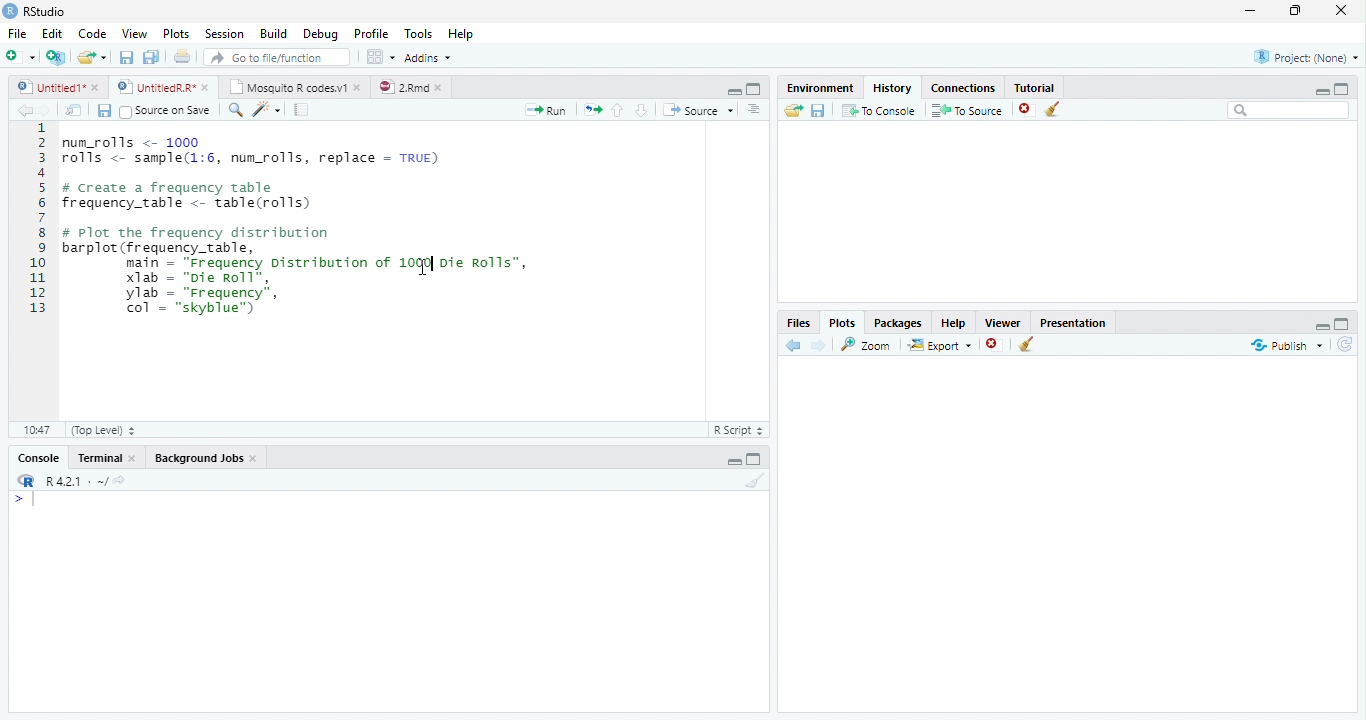 The height and width of the screenshot is (720, 1366). Describe the element at coordinates (1284, 346) in the screenshot. I see `Publish` at that location.